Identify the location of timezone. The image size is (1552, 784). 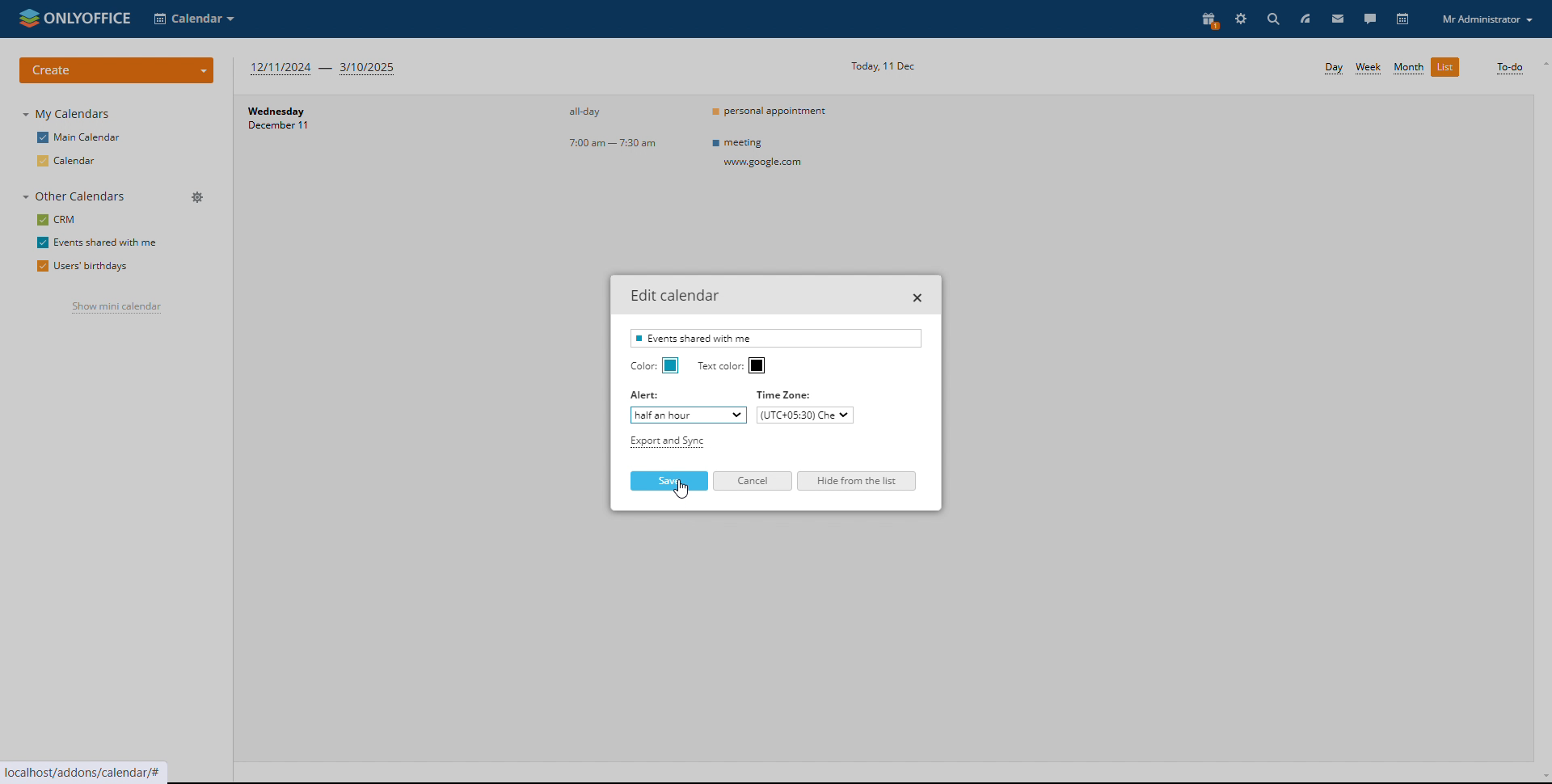
(789, 394).